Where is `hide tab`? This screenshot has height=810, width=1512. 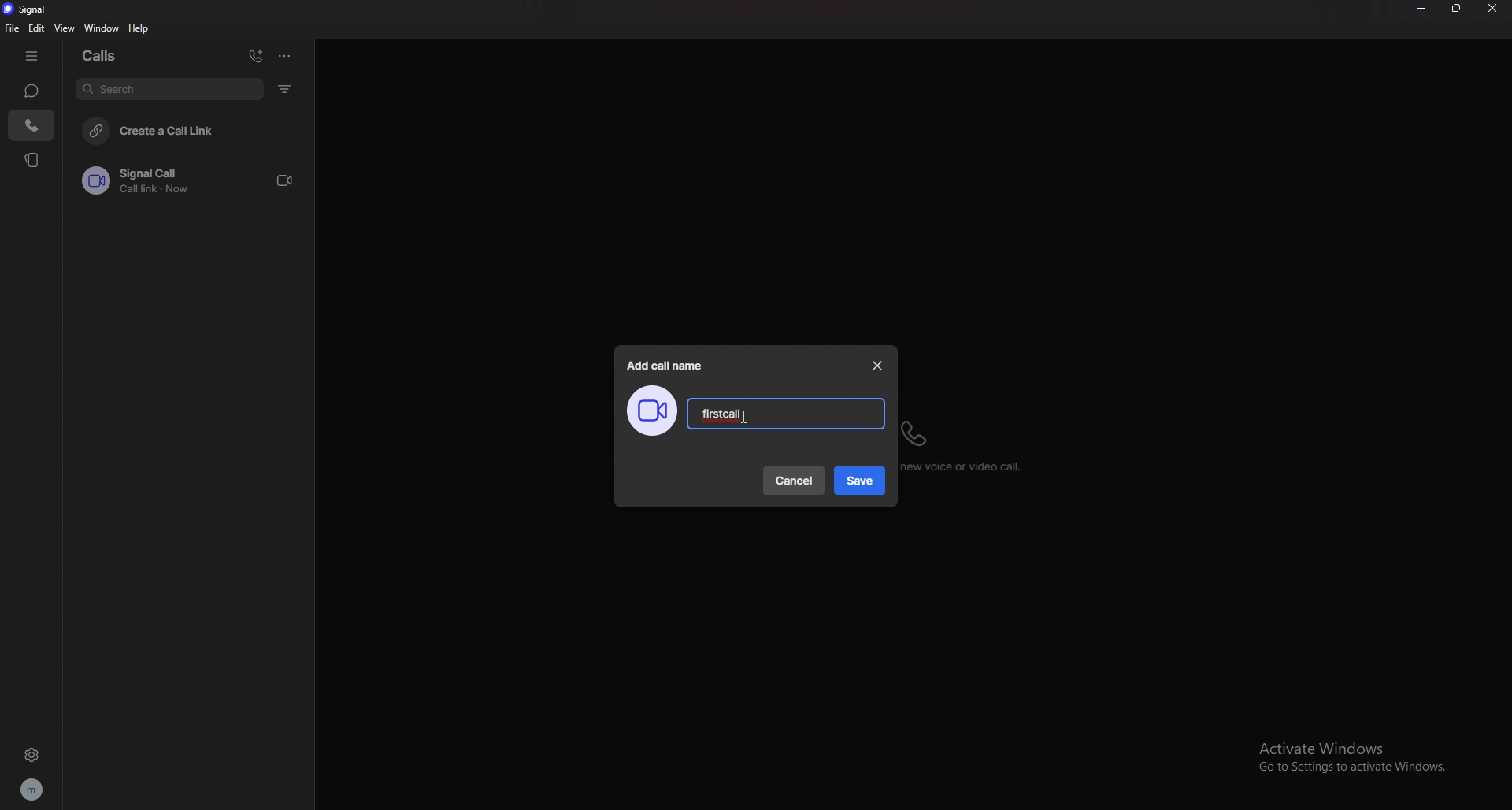 hide tab is located at coordinates (31, 57).